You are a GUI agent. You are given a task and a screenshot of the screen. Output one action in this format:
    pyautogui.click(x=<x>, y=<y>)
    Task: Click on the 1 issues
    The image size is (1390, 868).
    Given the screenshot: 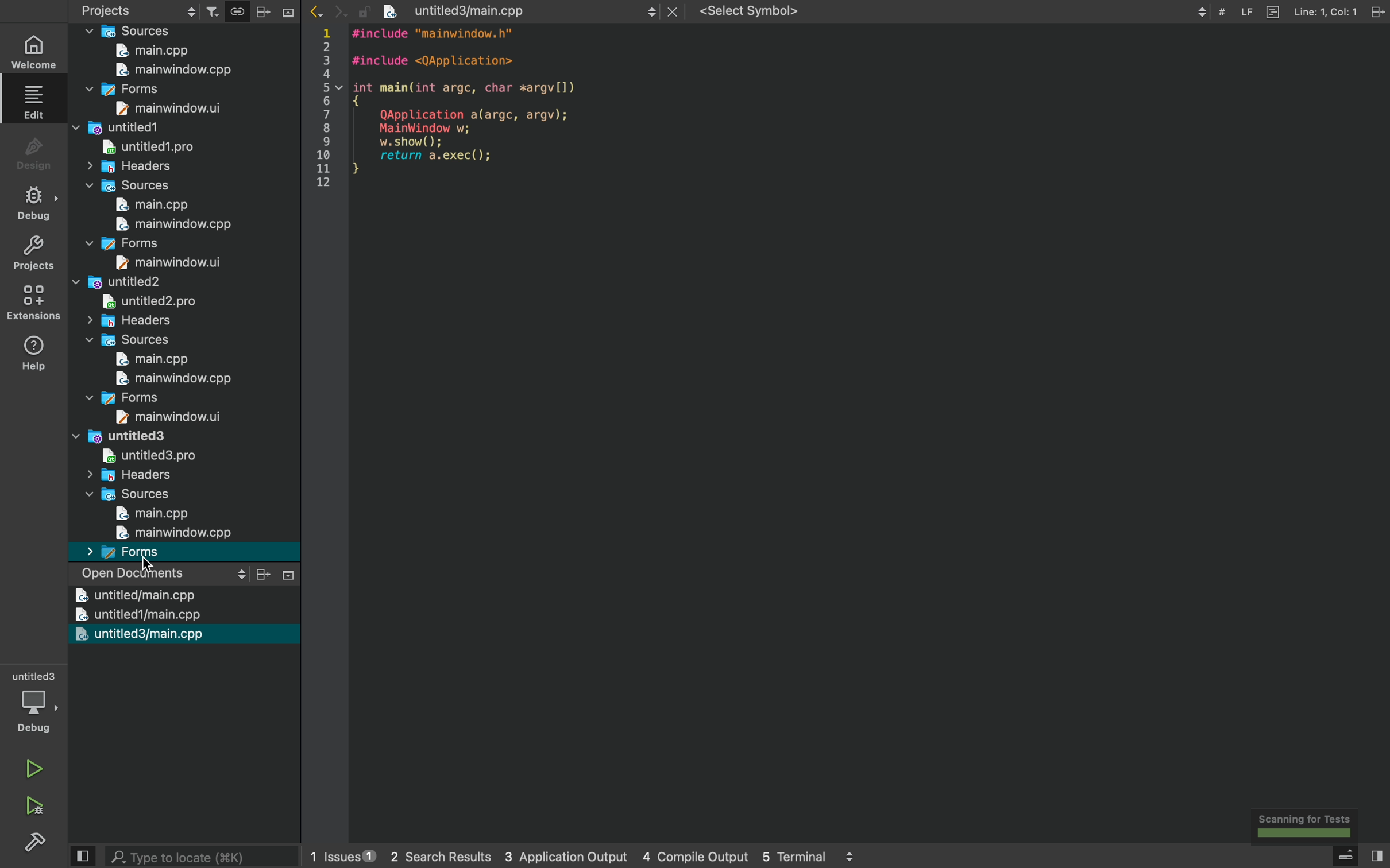 What is the action you would take?
    pyautogui.click(x=335, y=854)
    